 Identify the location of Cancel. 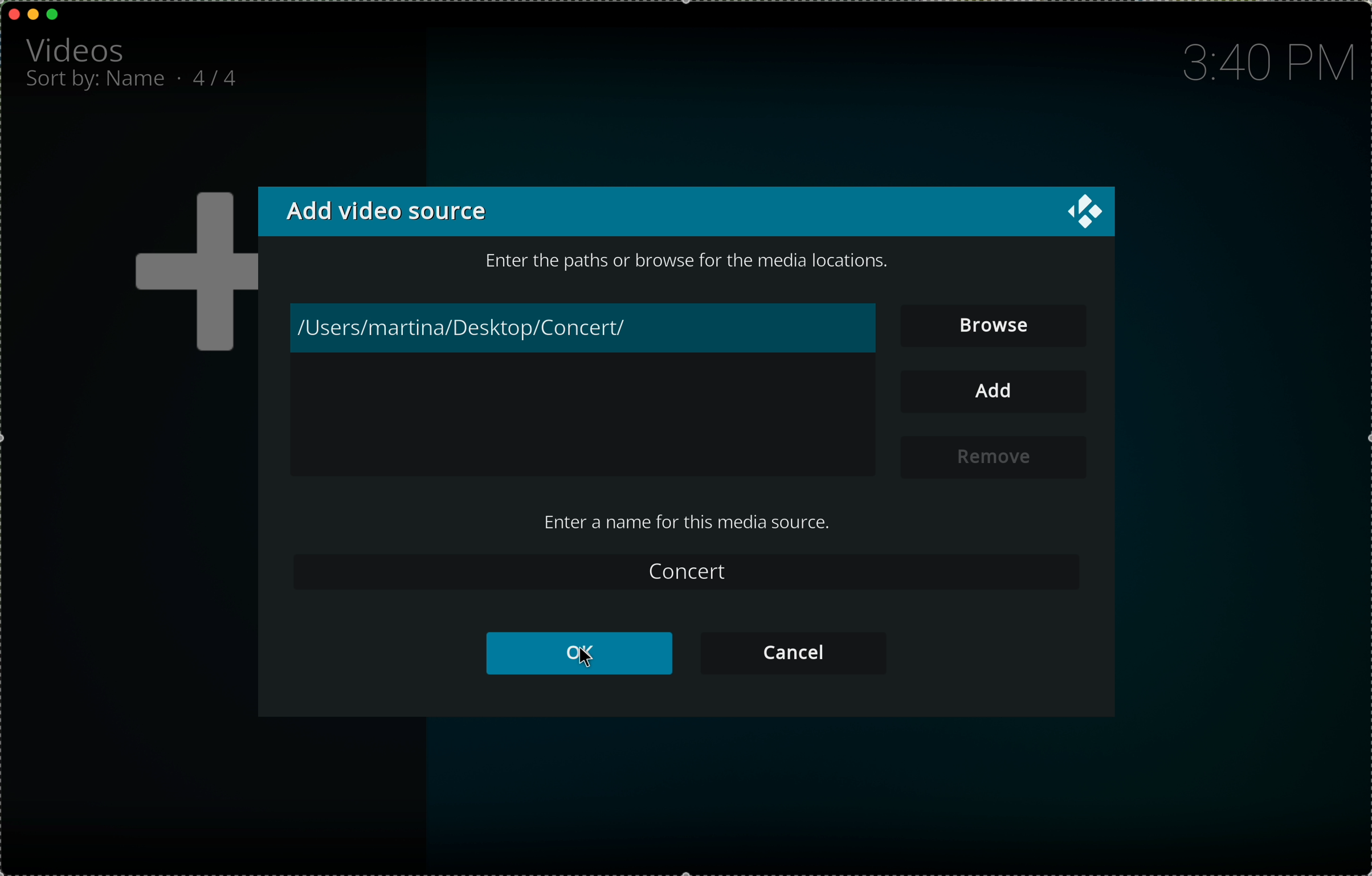
(792, 652).